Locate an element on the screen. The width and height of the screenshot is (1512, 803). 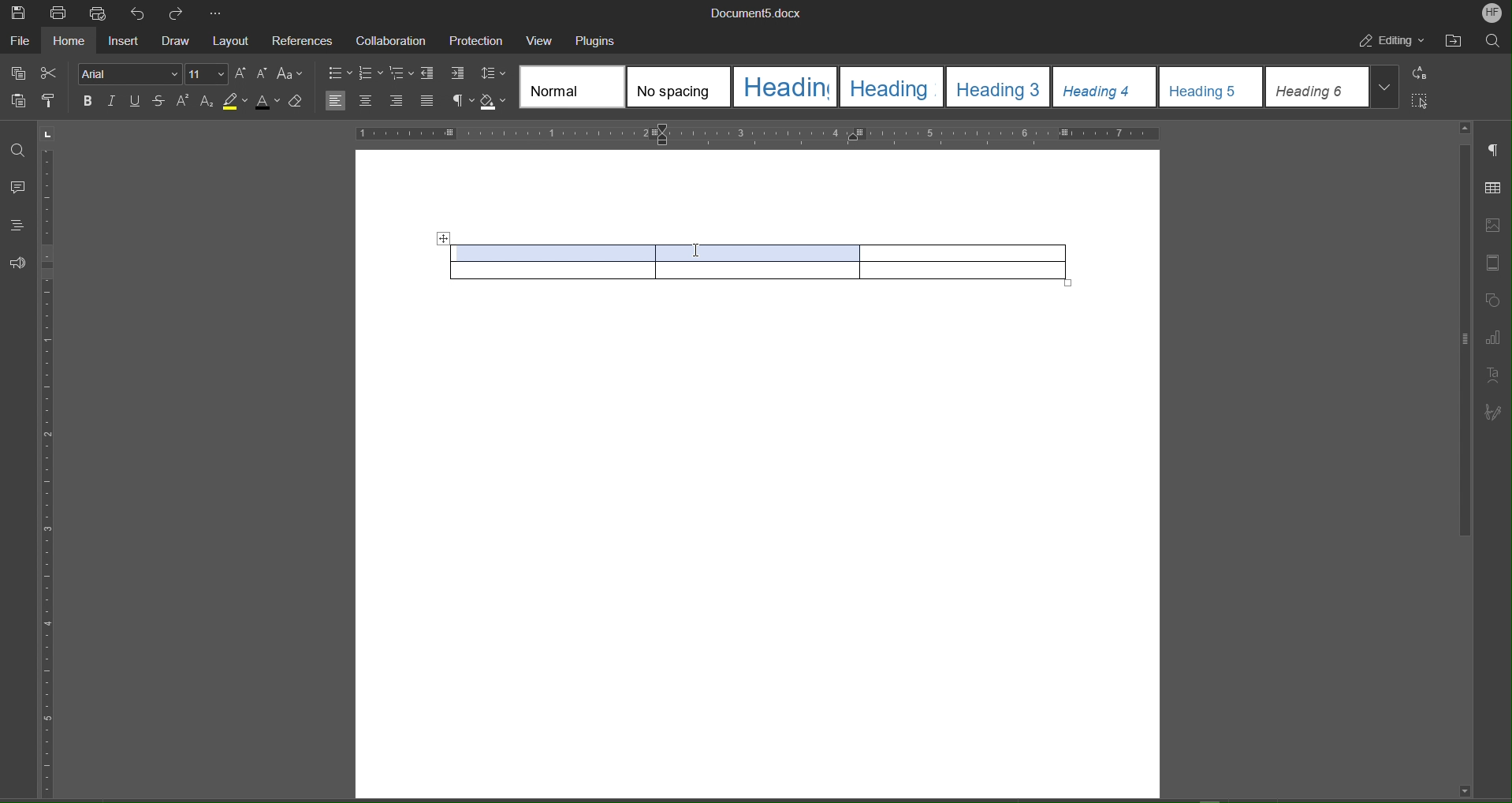
Normal is located at coordinates (572, 87).